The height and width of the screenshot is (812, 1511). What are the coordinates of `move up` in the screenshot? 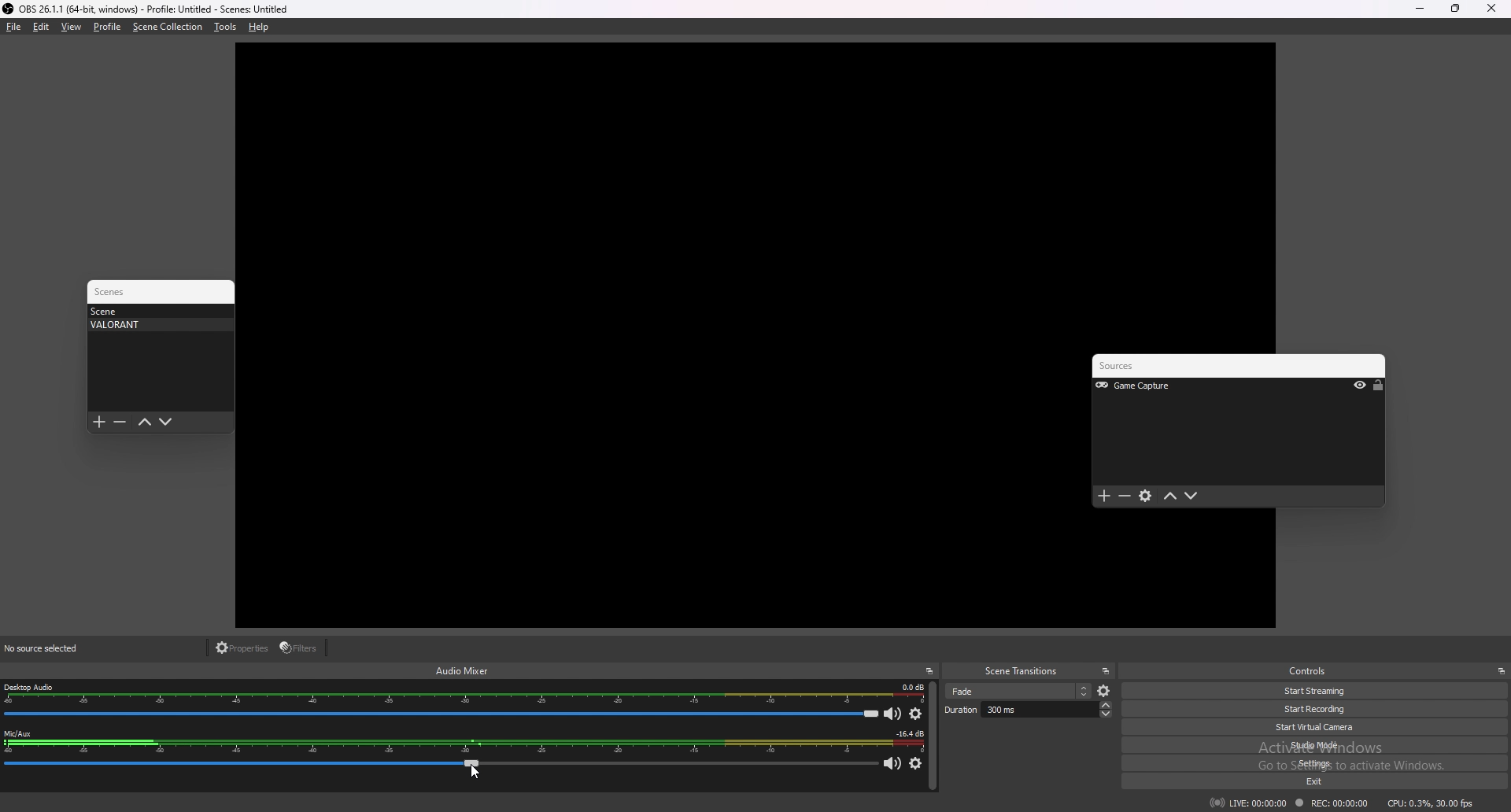 It's located at (1171, 496).